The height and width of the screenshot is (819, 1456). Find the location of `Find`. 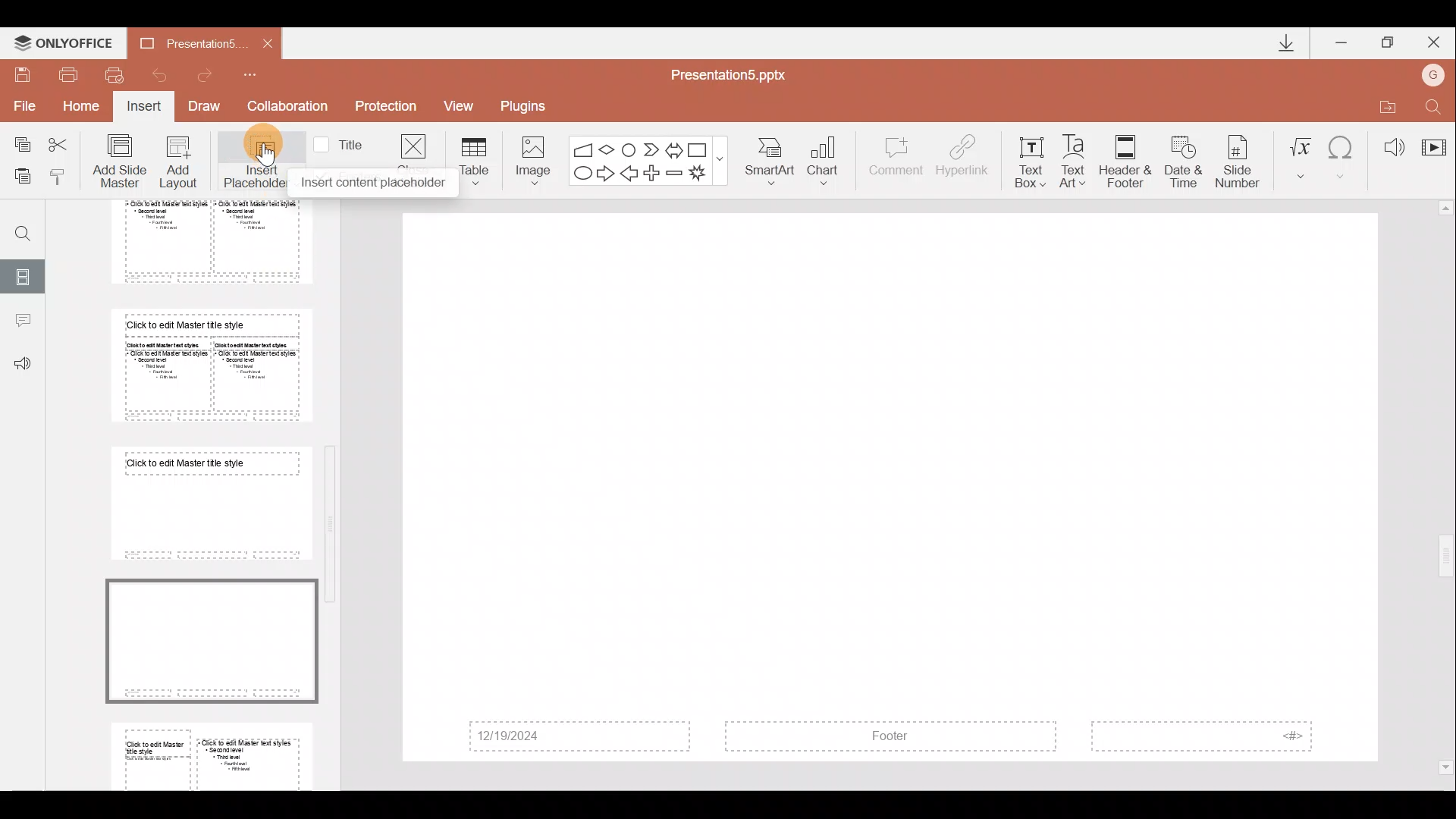

Find is located at coordinates (1435, 104).